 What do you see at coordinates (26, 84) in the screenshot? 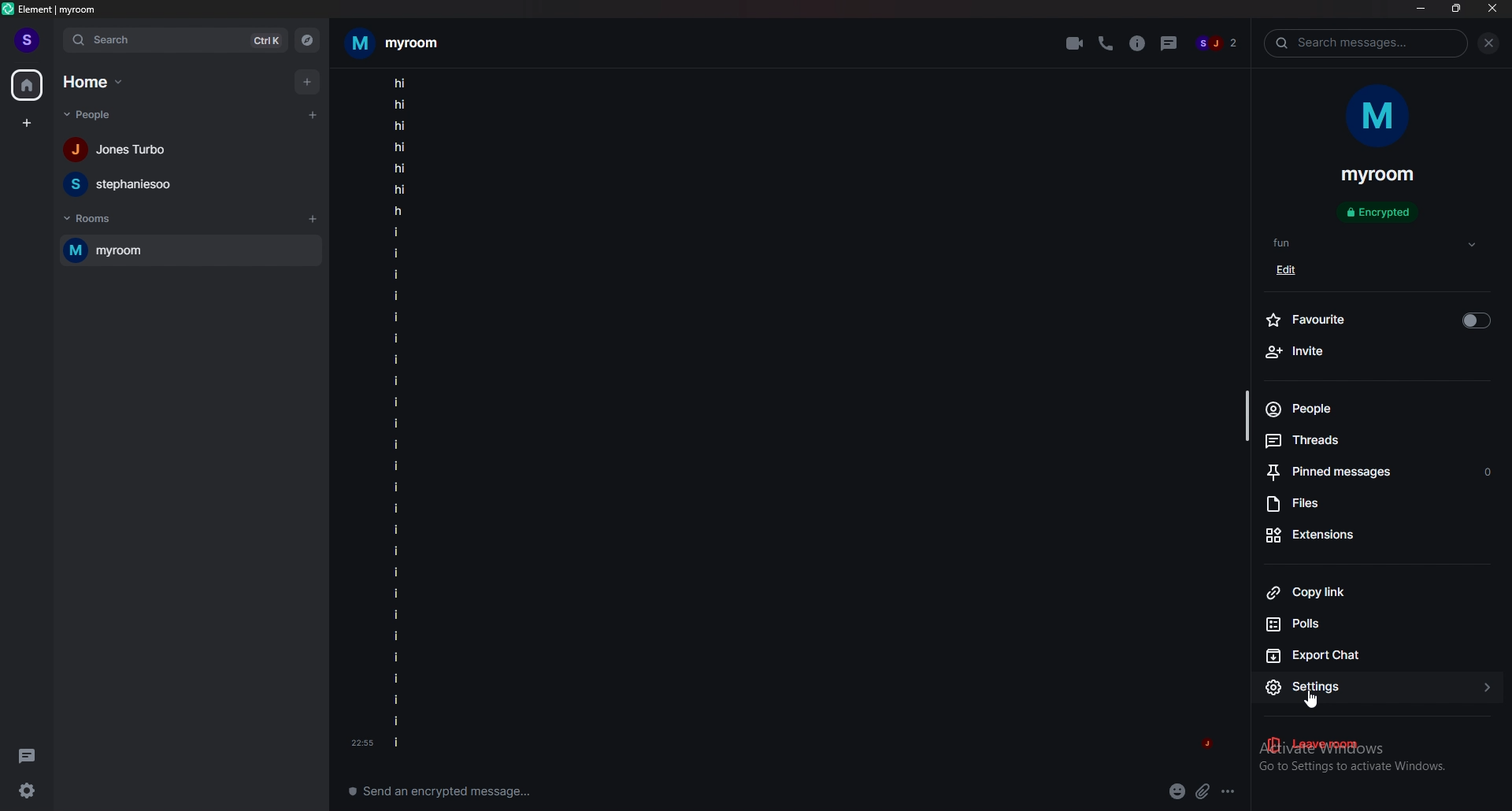
I see `home` at bounding box center [26, 84].